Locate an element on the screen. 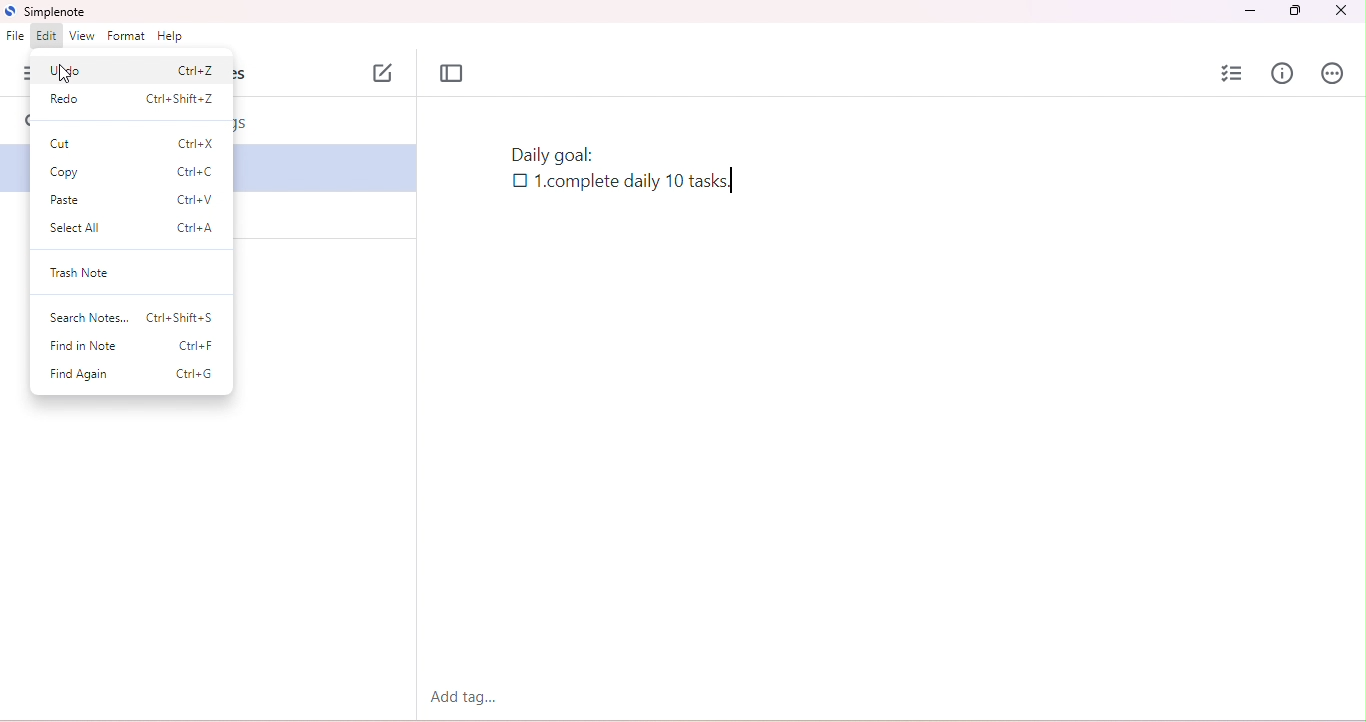 This screenshot has height=722, width=1366. simplenote is located at coordinates (55, 13).